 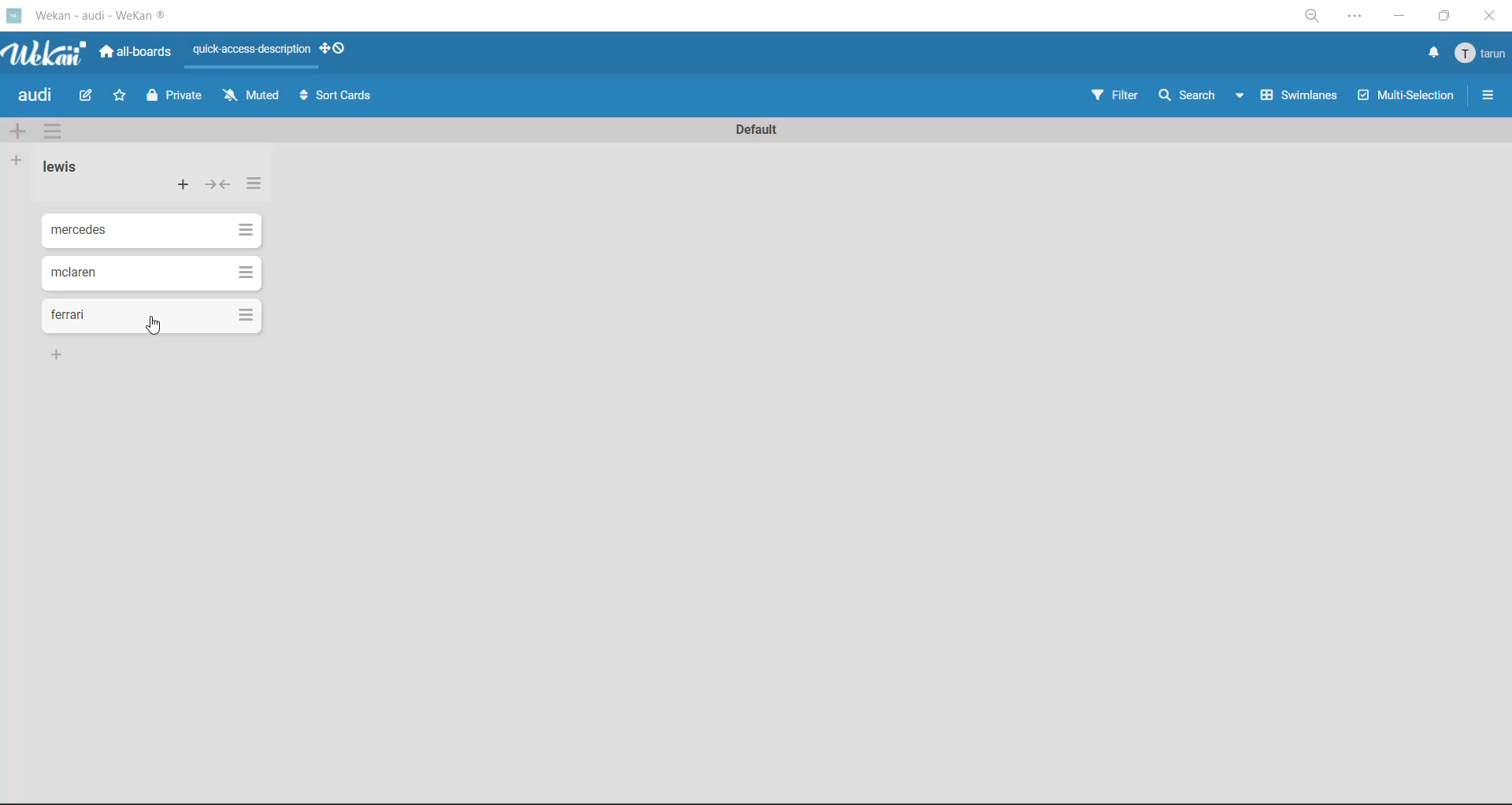 What do you see at coordinates (1203, 95) in the screenshot?
I see `search` at bounding box center [1203, 95].